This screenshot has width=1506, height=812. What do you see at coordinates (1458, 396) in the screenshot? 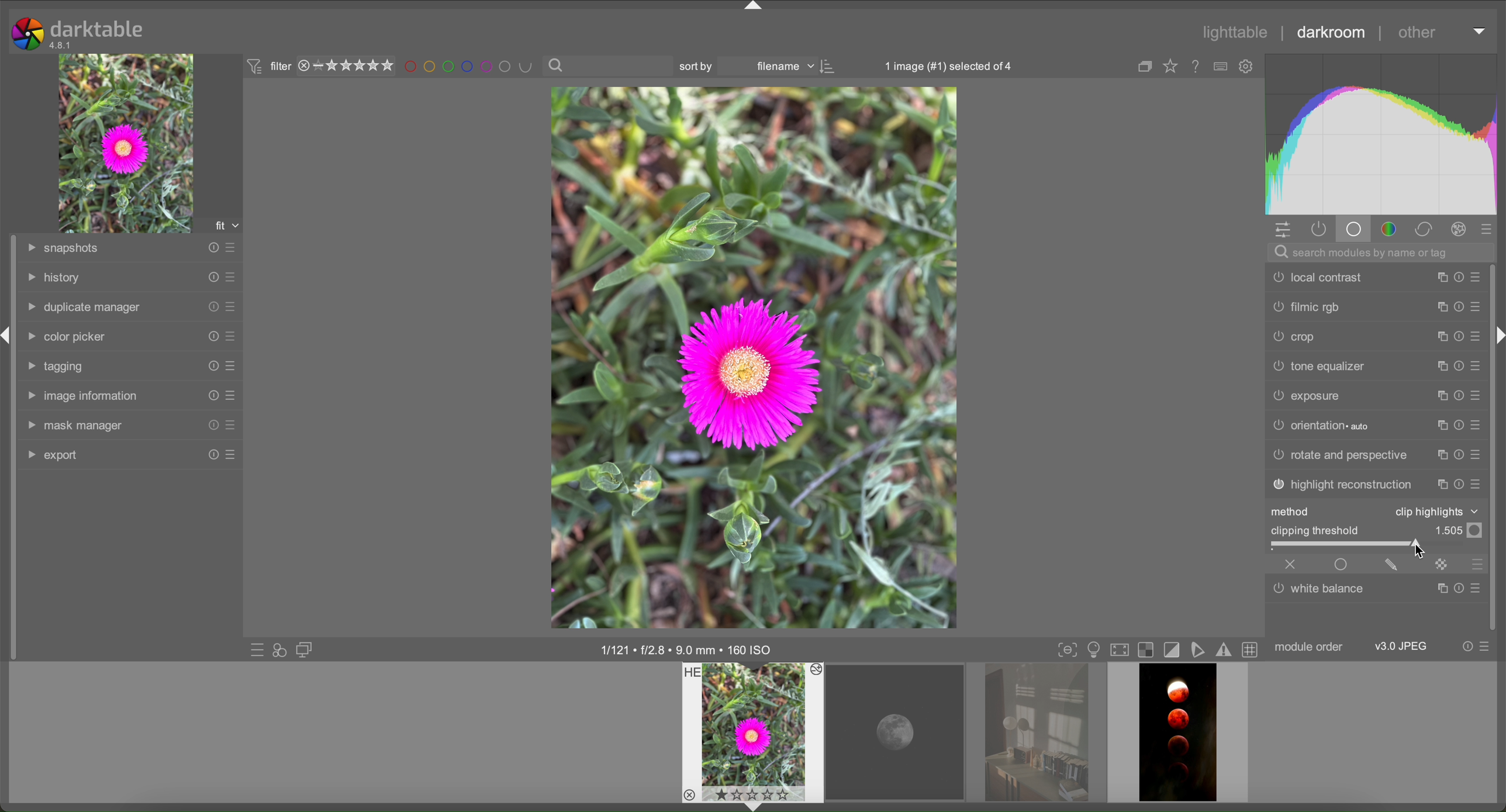
I see `reset presets` at bounding box center [1458, 396].